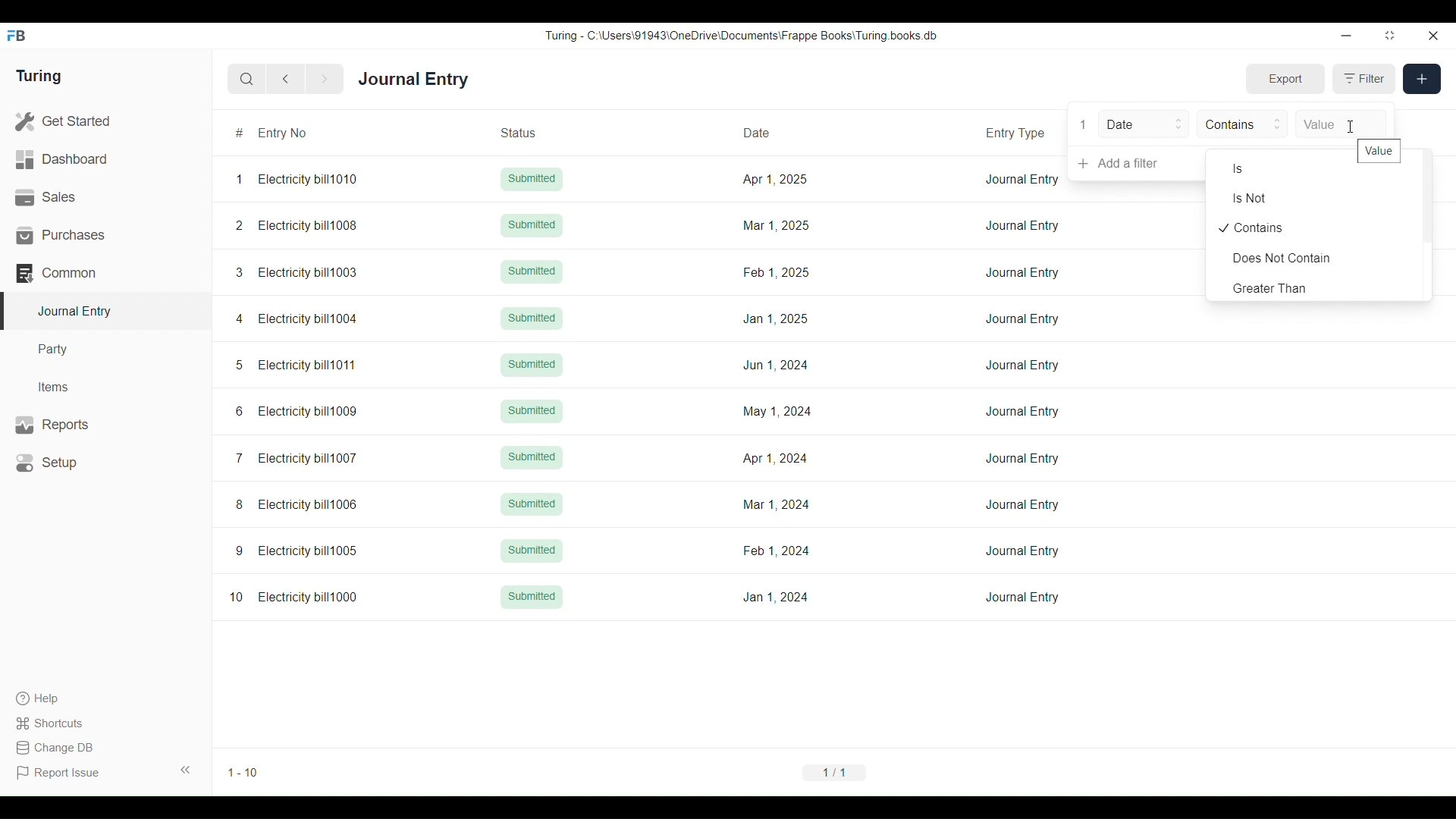  I want to click on 9 Electricity bill1005, so click(297, 551).